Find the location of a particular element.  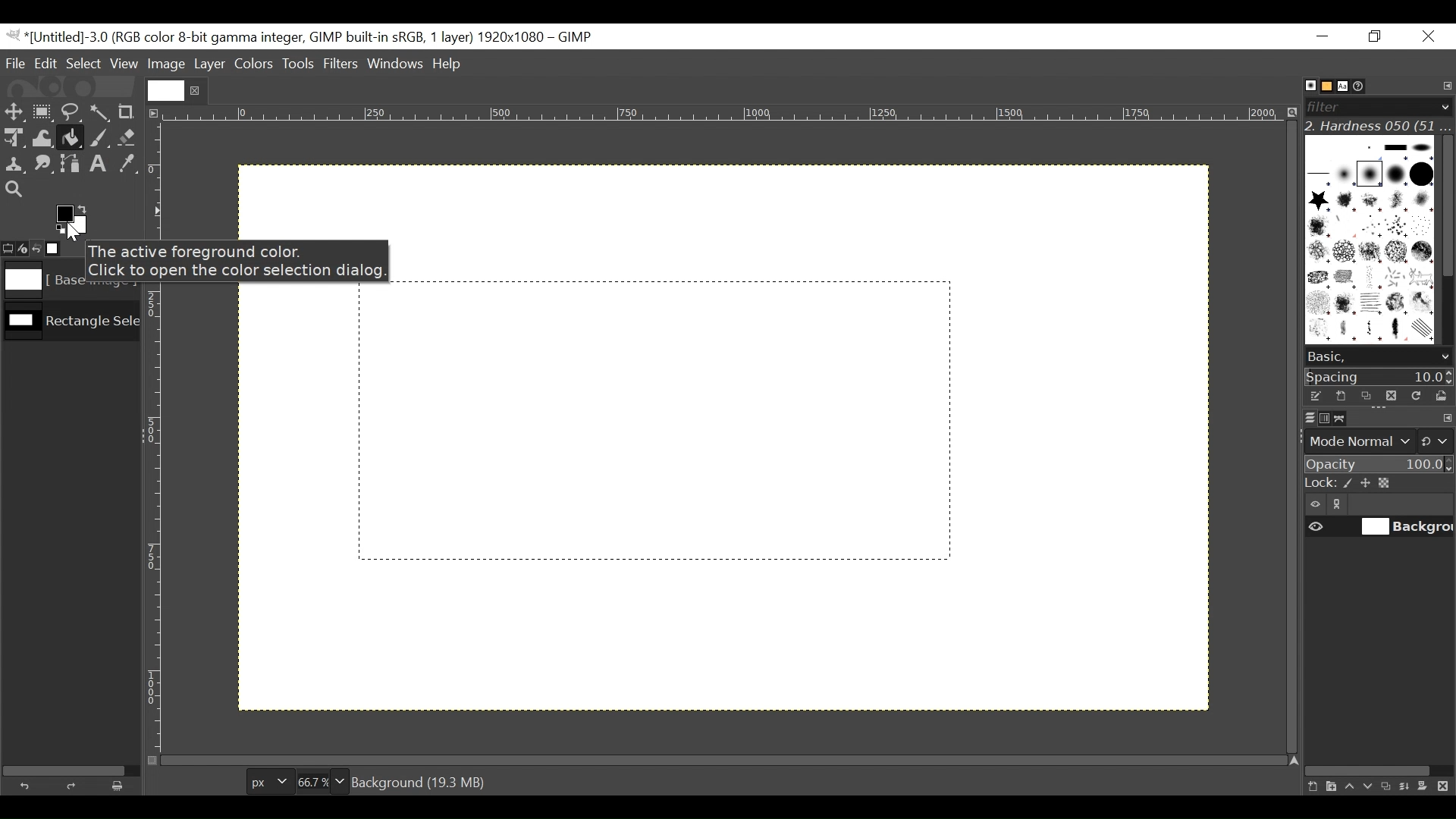

Filters is located at coordinates (342, 65).